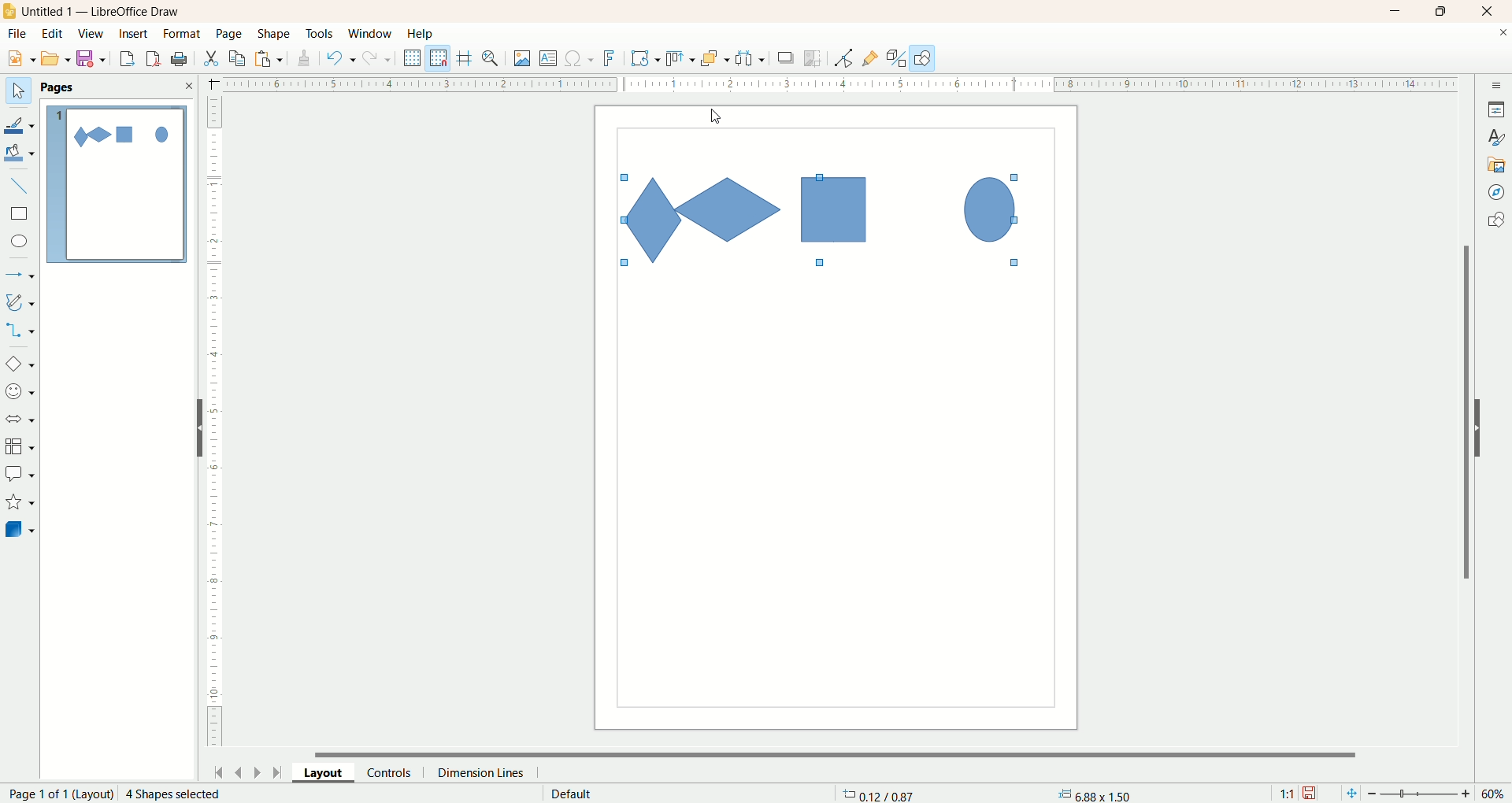 The width and height of the screenshot is (1512, 803). Describe the element at coordinates (135, 34) in the screenshot. I see `insert` at that location.